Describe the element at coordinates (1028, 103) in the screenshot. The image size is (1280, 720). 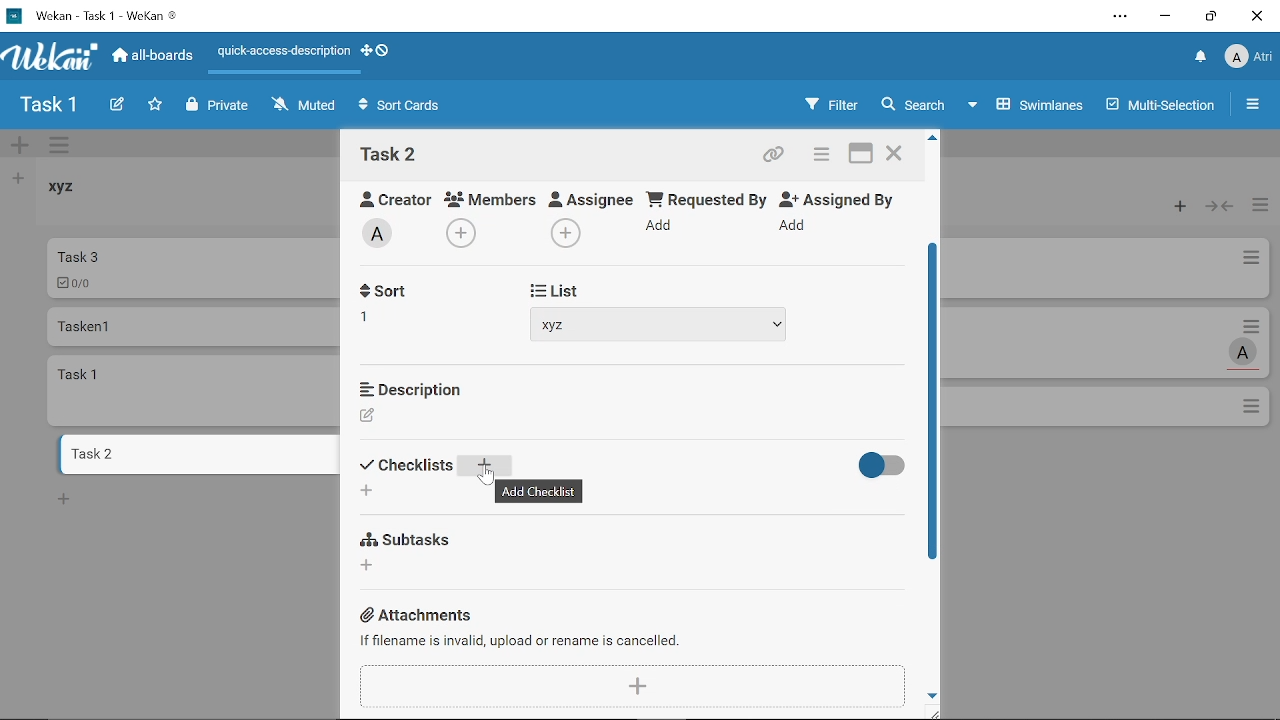
I see `Swimlanes` at that location.